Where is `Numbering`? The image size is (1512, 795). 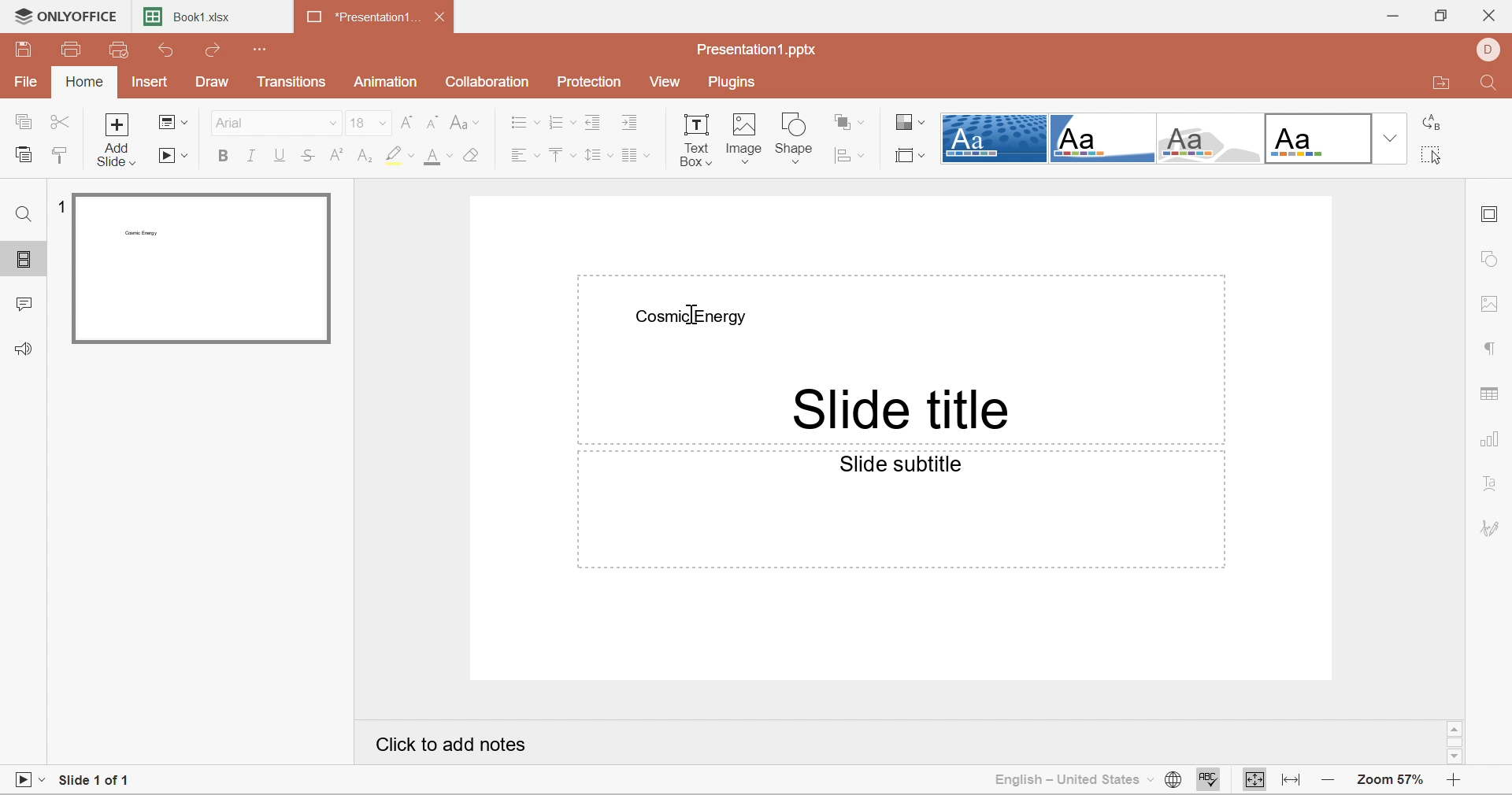
Numbering is located at coordinates (556, 124).